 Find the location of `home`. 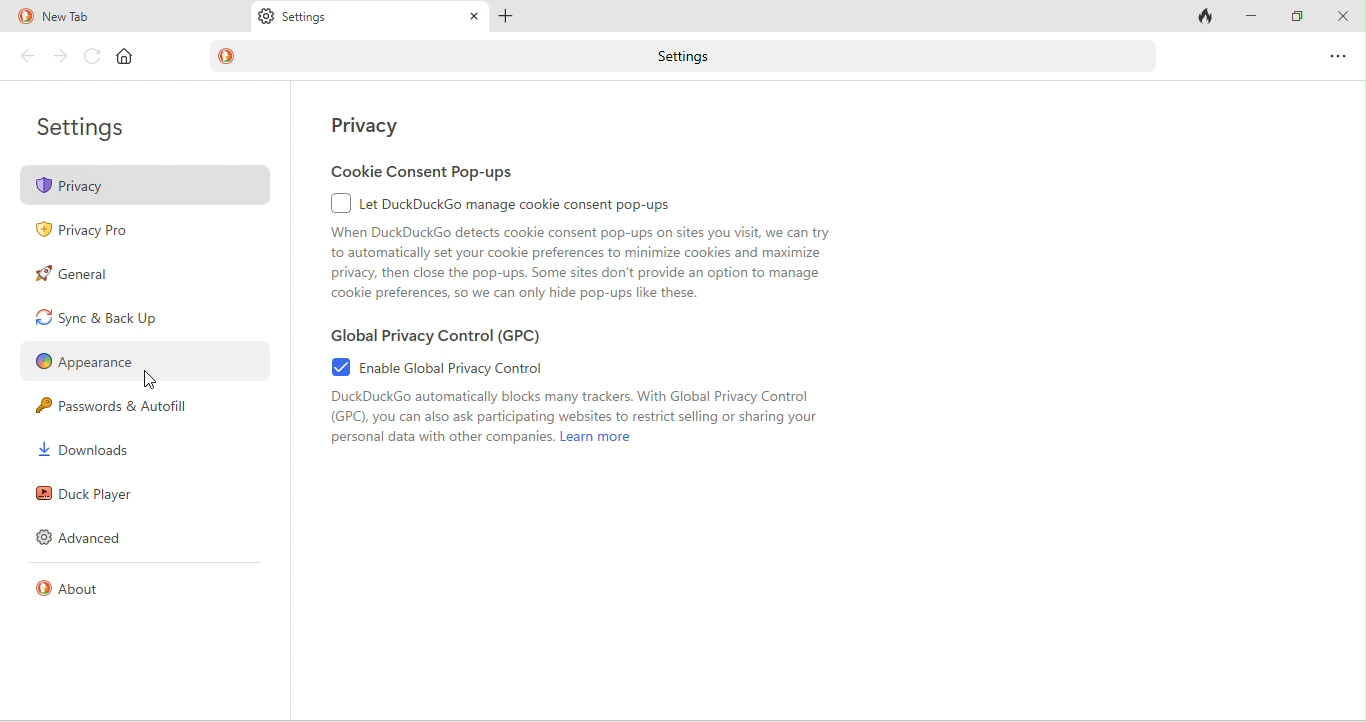

home is located at coordinates (126, 57).